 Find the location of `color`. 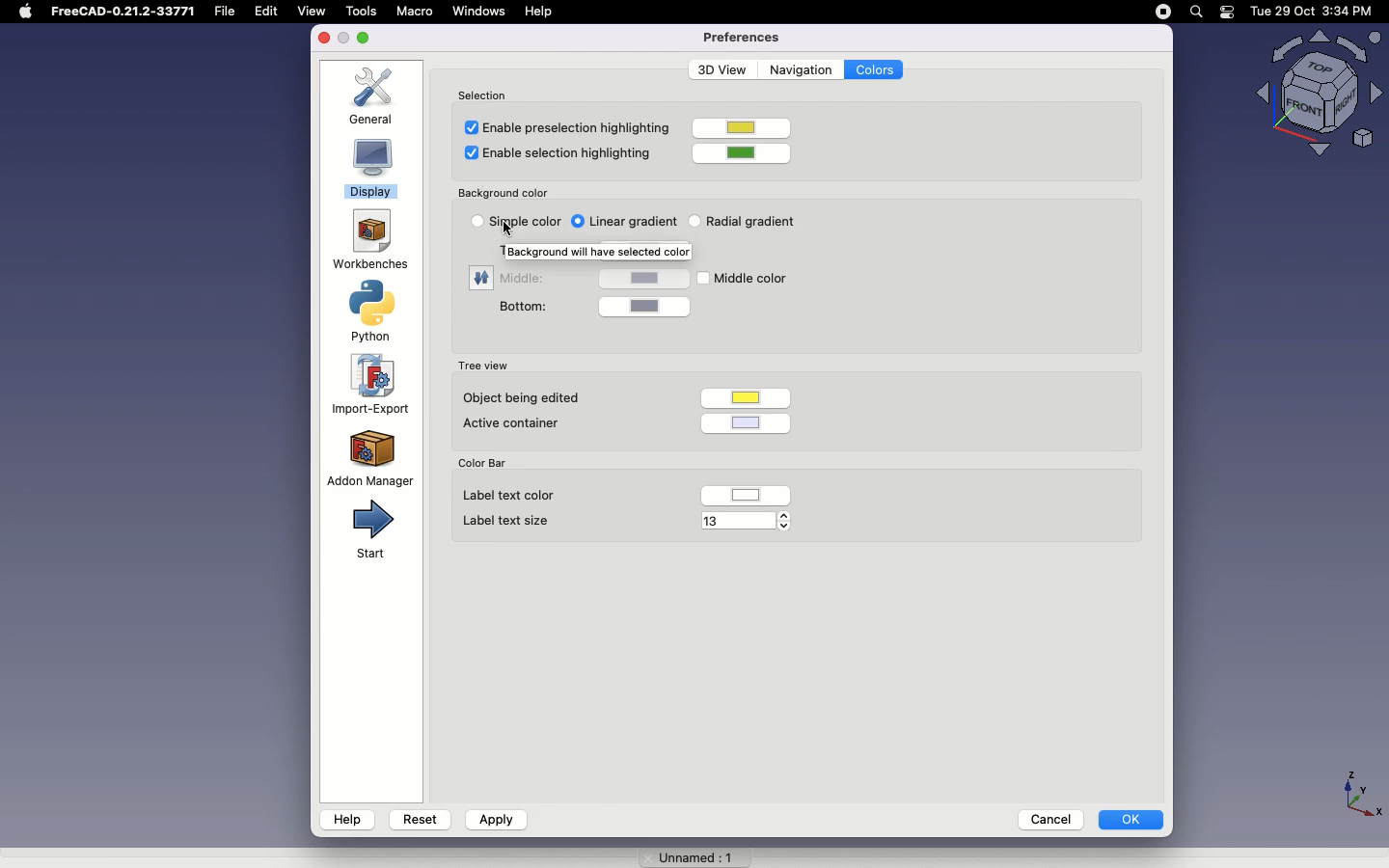

color is located at coordinates (748, 151).